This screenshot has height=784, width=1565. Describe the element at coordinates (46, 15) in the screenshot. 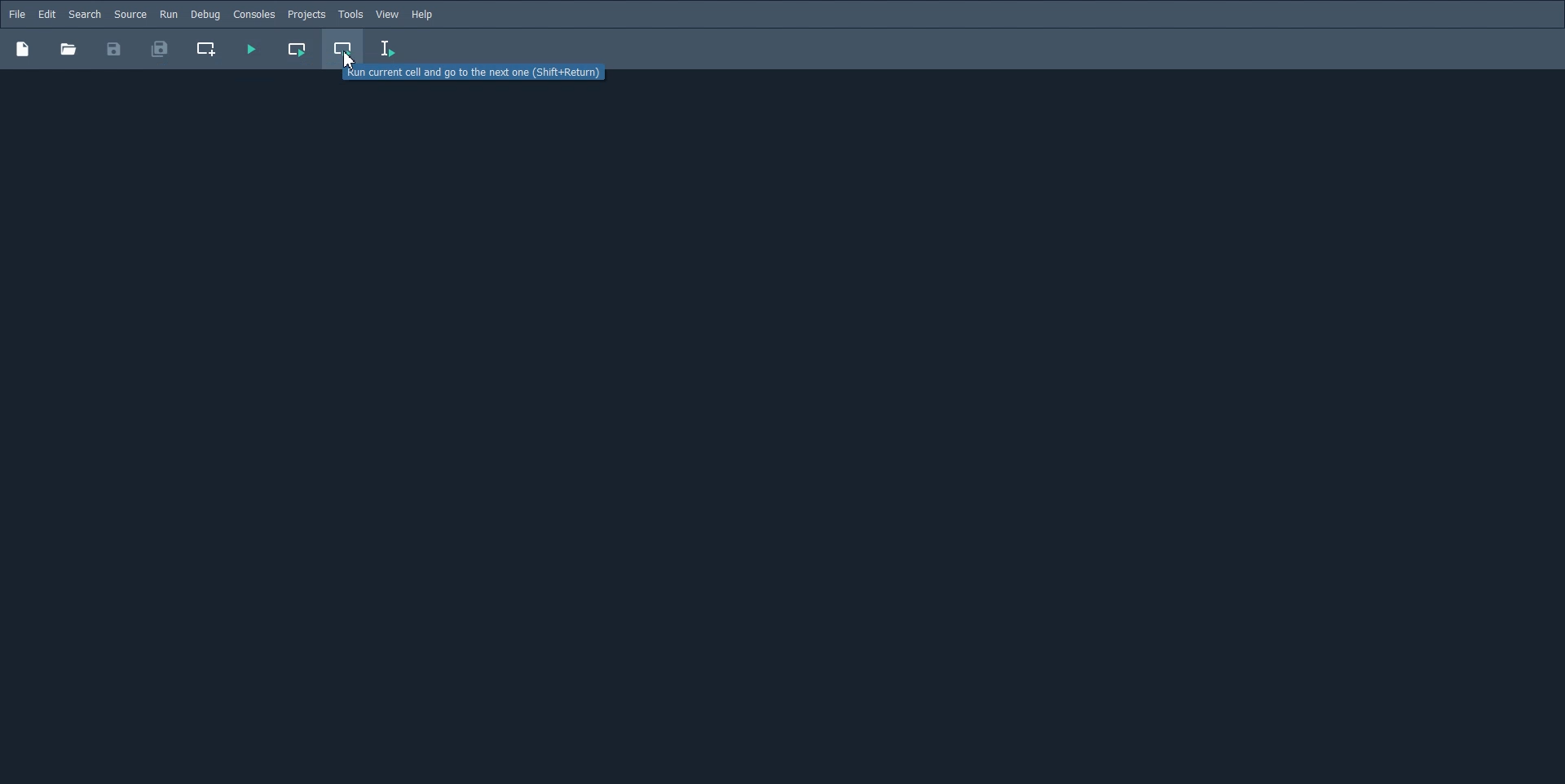

I see `Edit` at that location.